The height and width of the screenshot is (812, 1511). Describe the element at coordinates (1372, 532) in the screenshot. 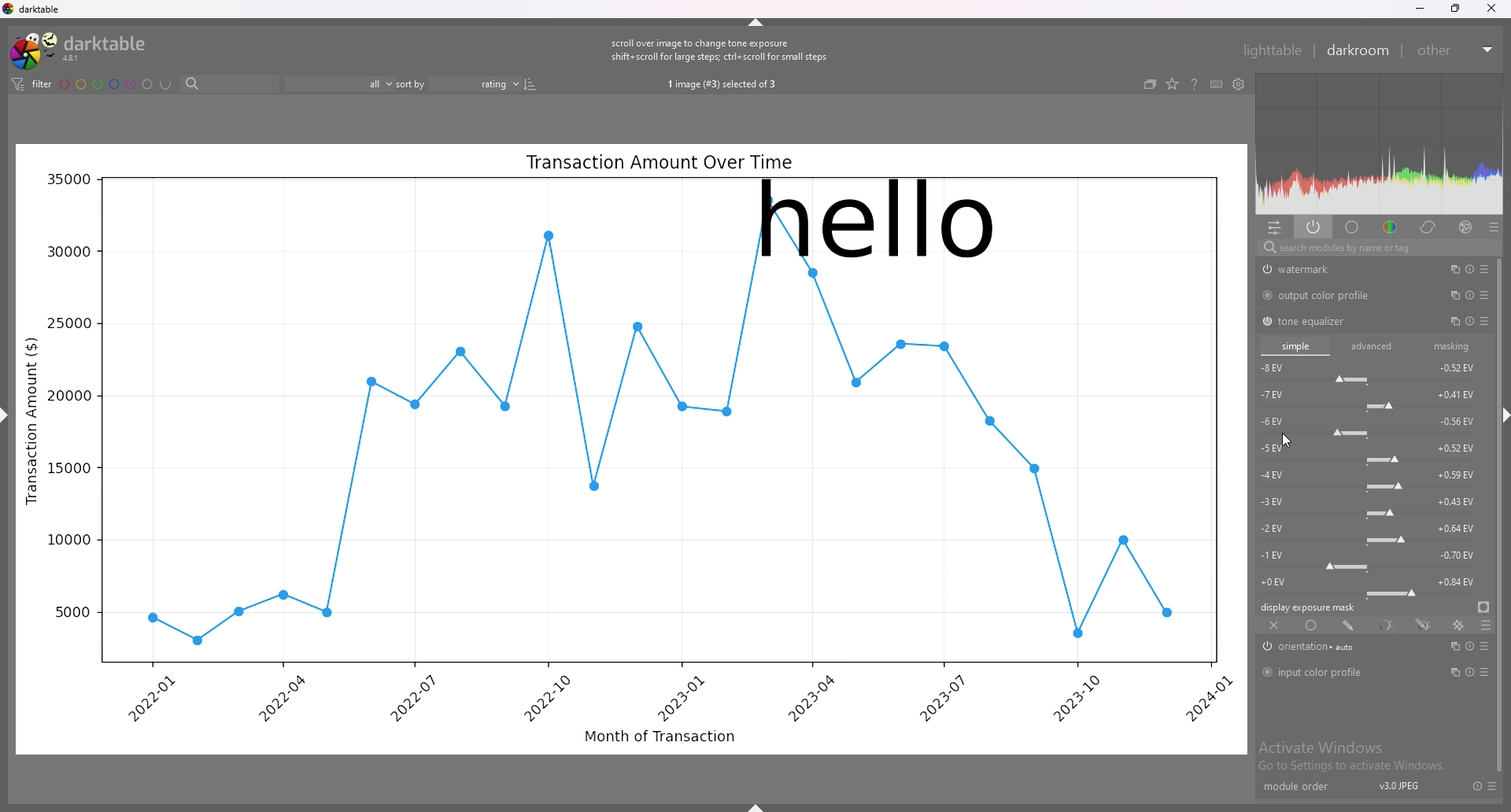

I see `-2 EV force` at that location.